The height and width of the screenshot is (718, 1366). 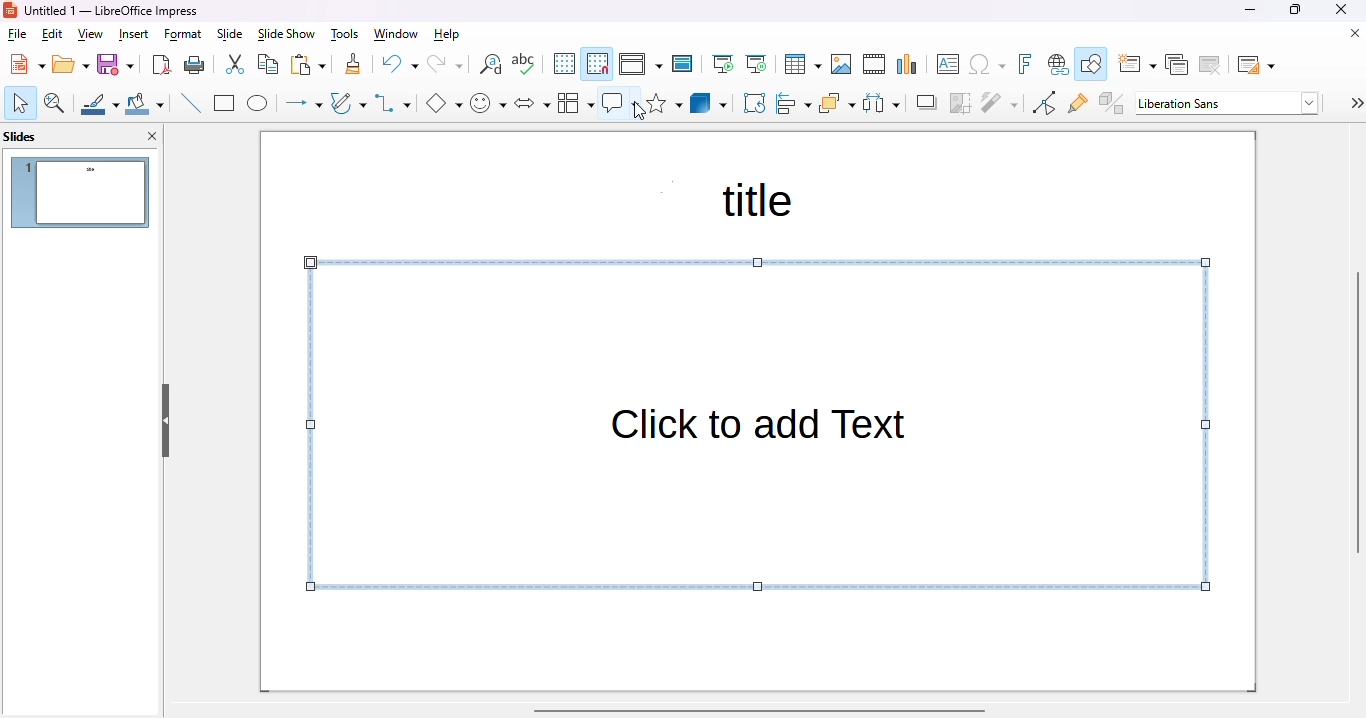 What do you see at coordinates (183, 35) in the screenshot?
I see `format` at bounding box center [183, 35].